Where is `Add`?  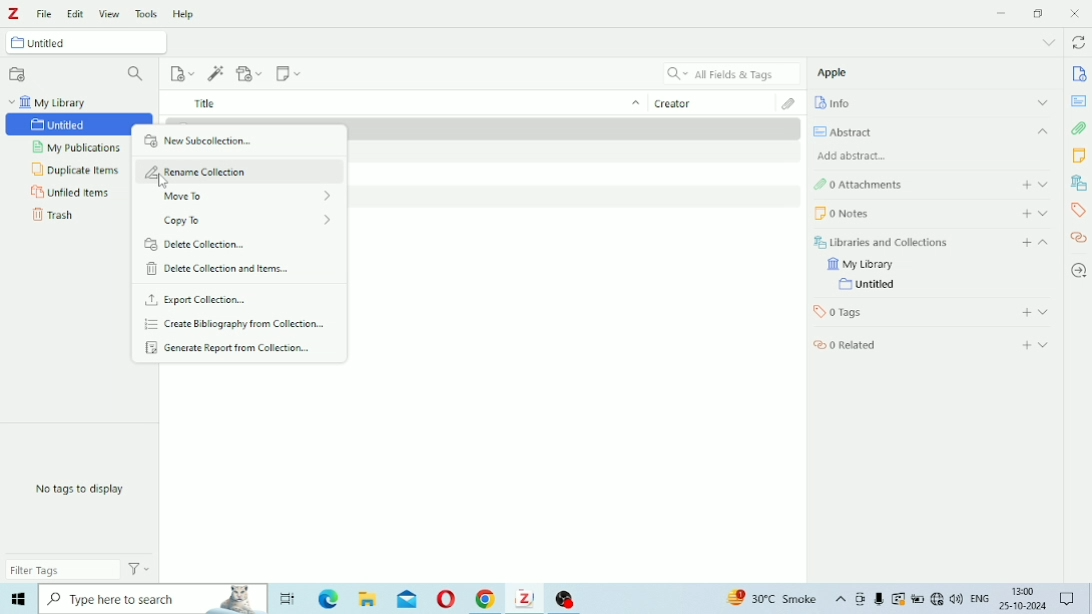 Add is located at coordinates (1027, 213).